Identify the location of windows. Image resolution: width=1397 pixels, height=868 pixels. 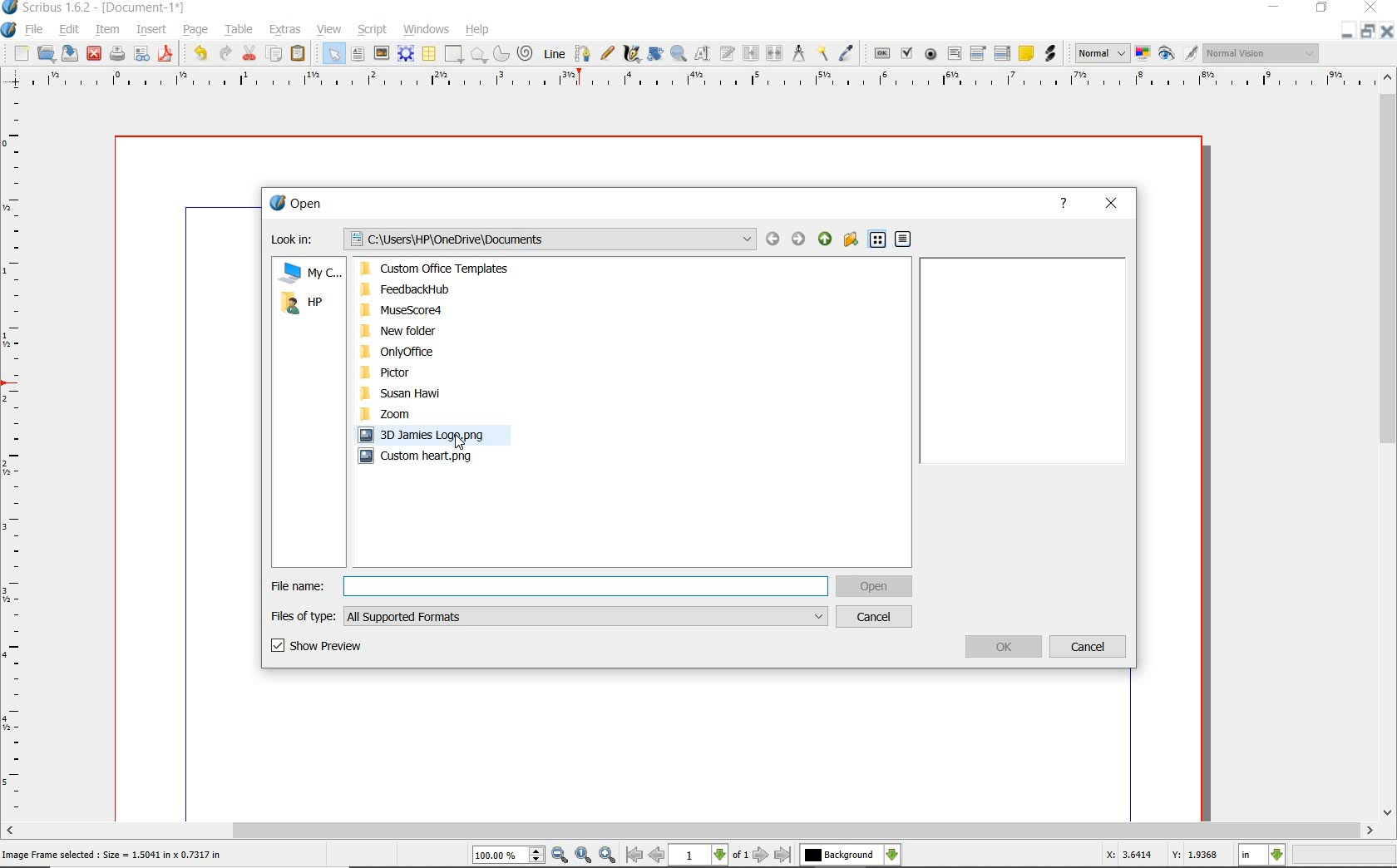
(426, 30).